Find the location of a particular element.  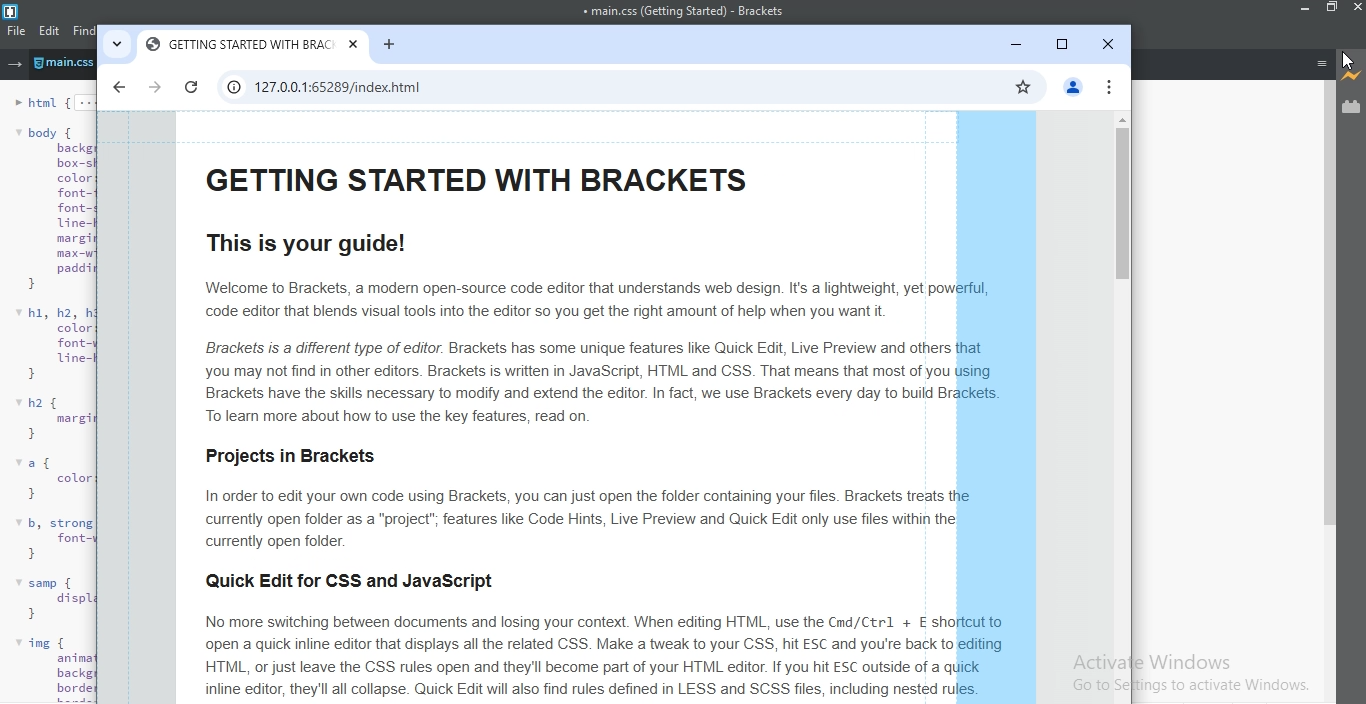

Welcome to Brackets, a modern open-source code editor that understands web design. It's a lightweight, yet pocode editor that blends visual tools into the editor so you get the right amount of help when you want it. is located at coordinates (605, 297).